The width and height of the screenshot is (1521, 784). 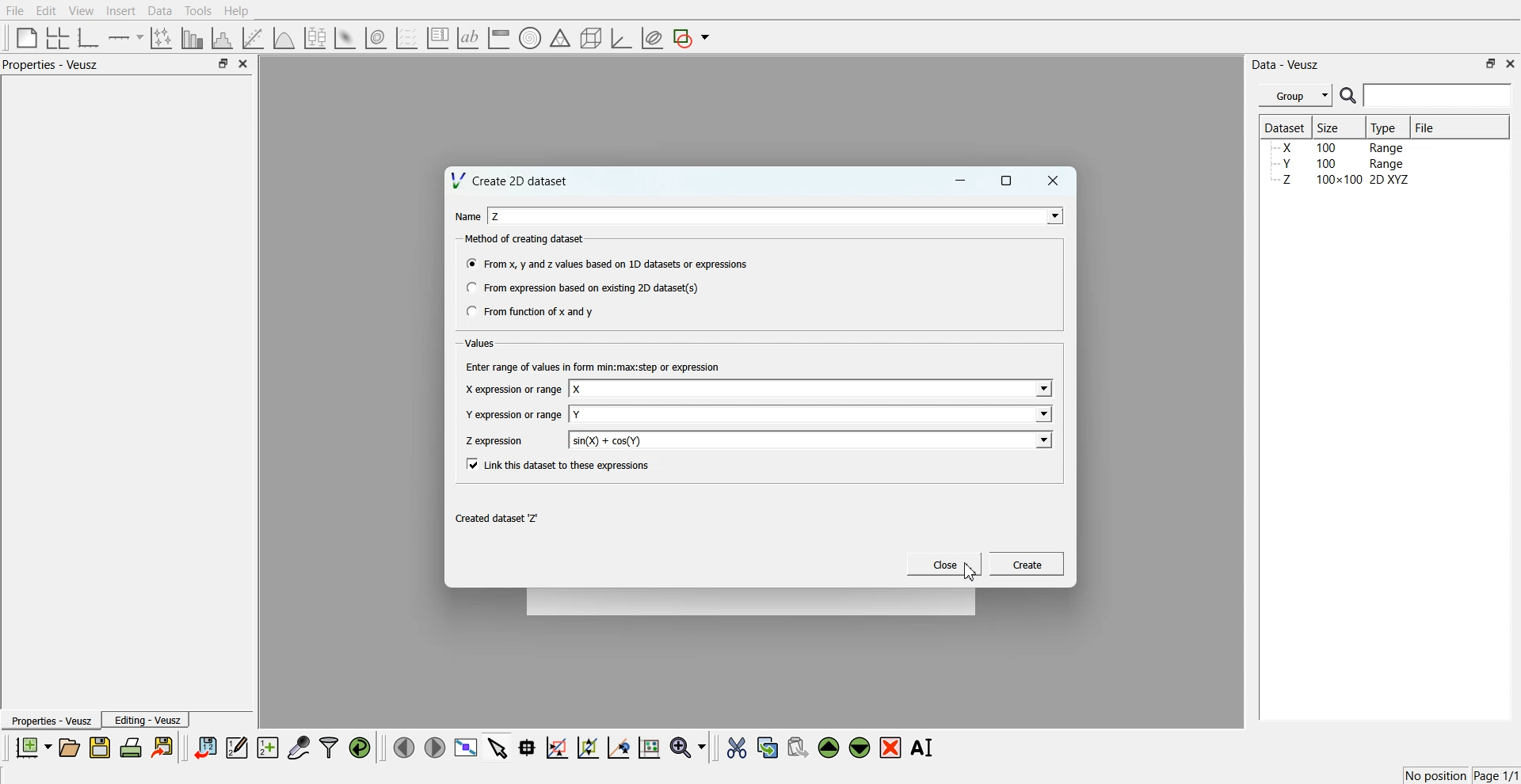 What do you see at coordinates (798, 746) in the screenshot?
I see `Paste widget from the clipboard` at bounding box center [798, 746].